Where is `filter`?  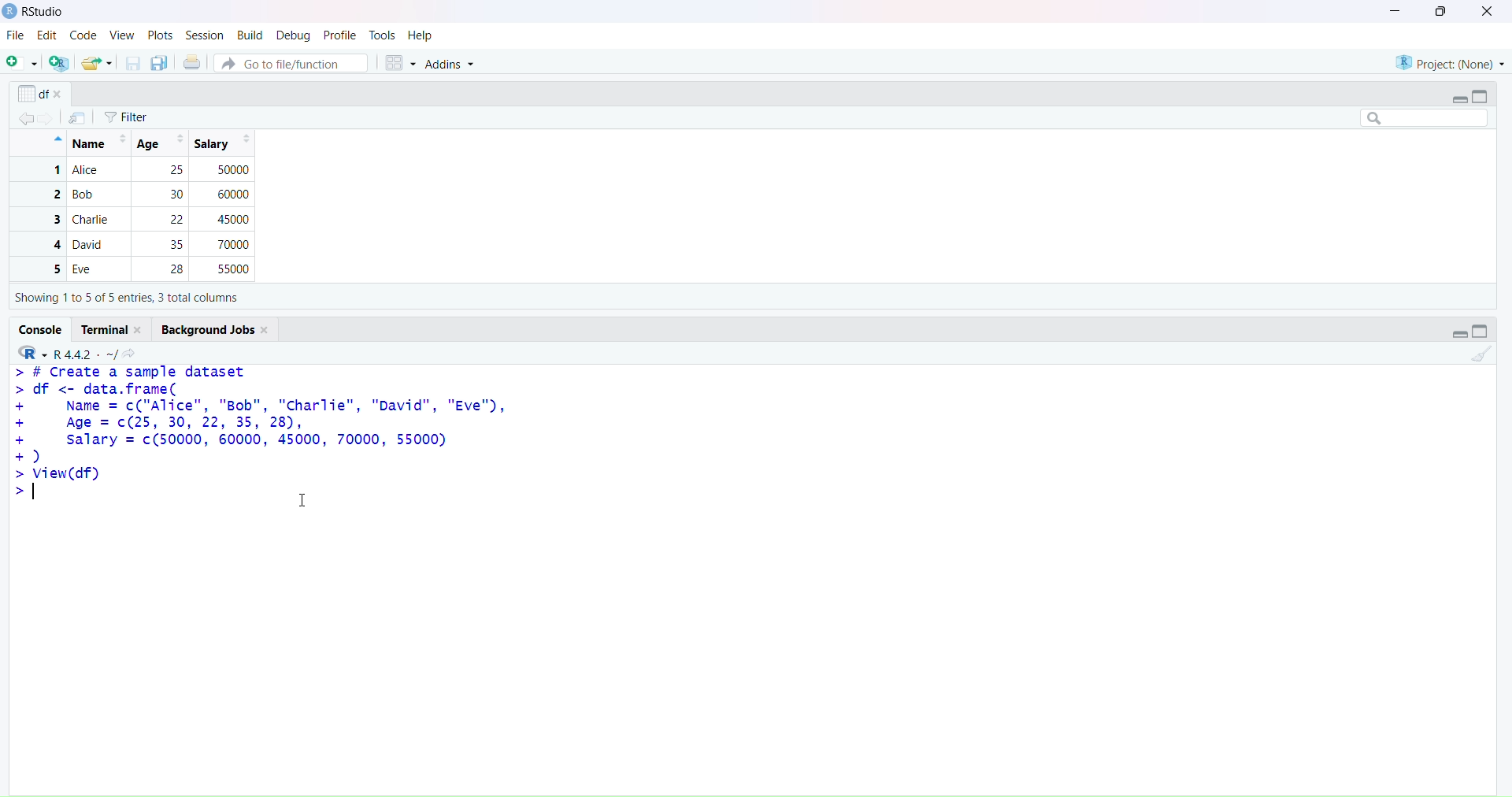 filter is located at coordinates (129, 116).